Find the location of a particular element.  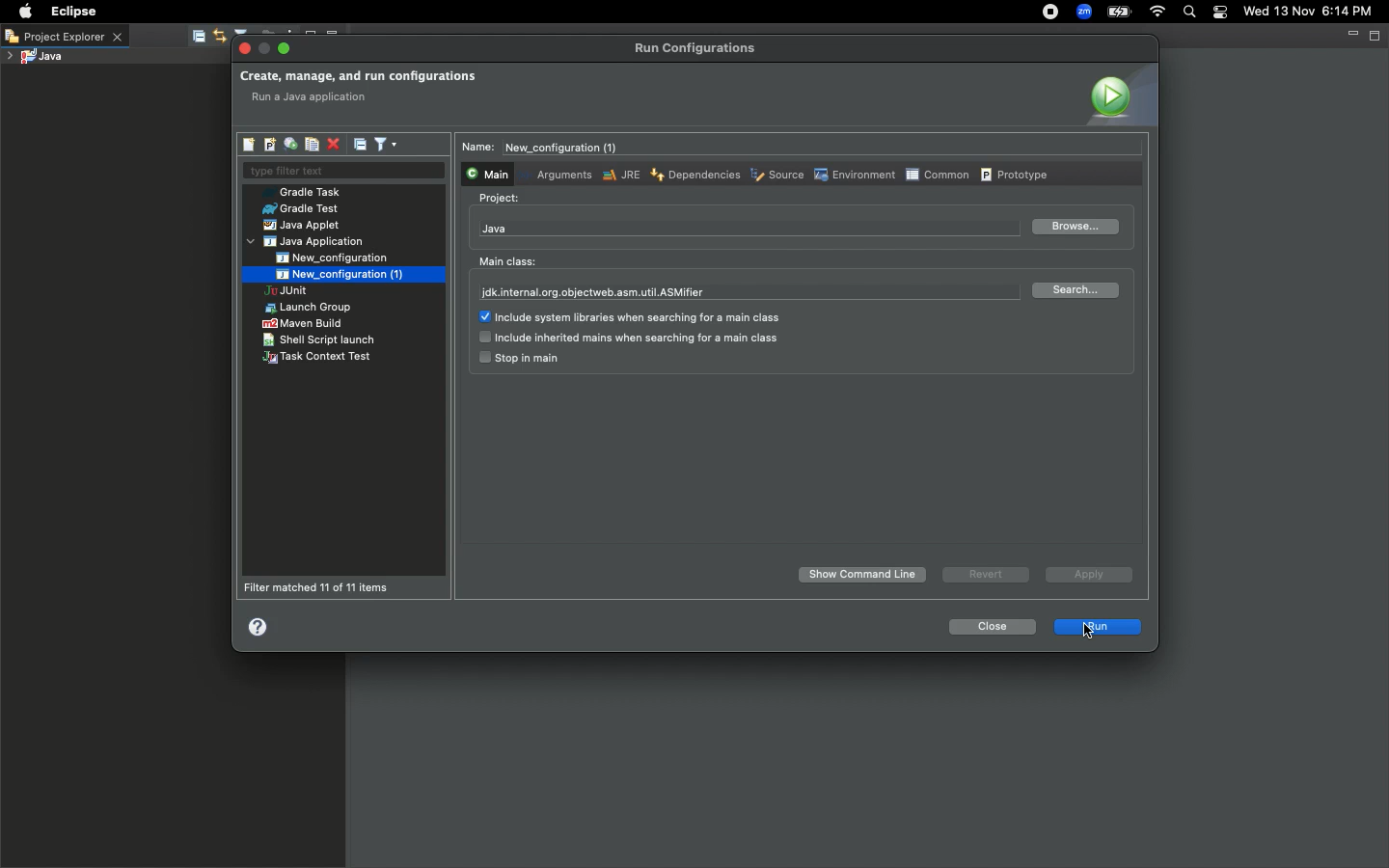

Duplicates the currently selected launch configurations is located at coordinates (312, 145).